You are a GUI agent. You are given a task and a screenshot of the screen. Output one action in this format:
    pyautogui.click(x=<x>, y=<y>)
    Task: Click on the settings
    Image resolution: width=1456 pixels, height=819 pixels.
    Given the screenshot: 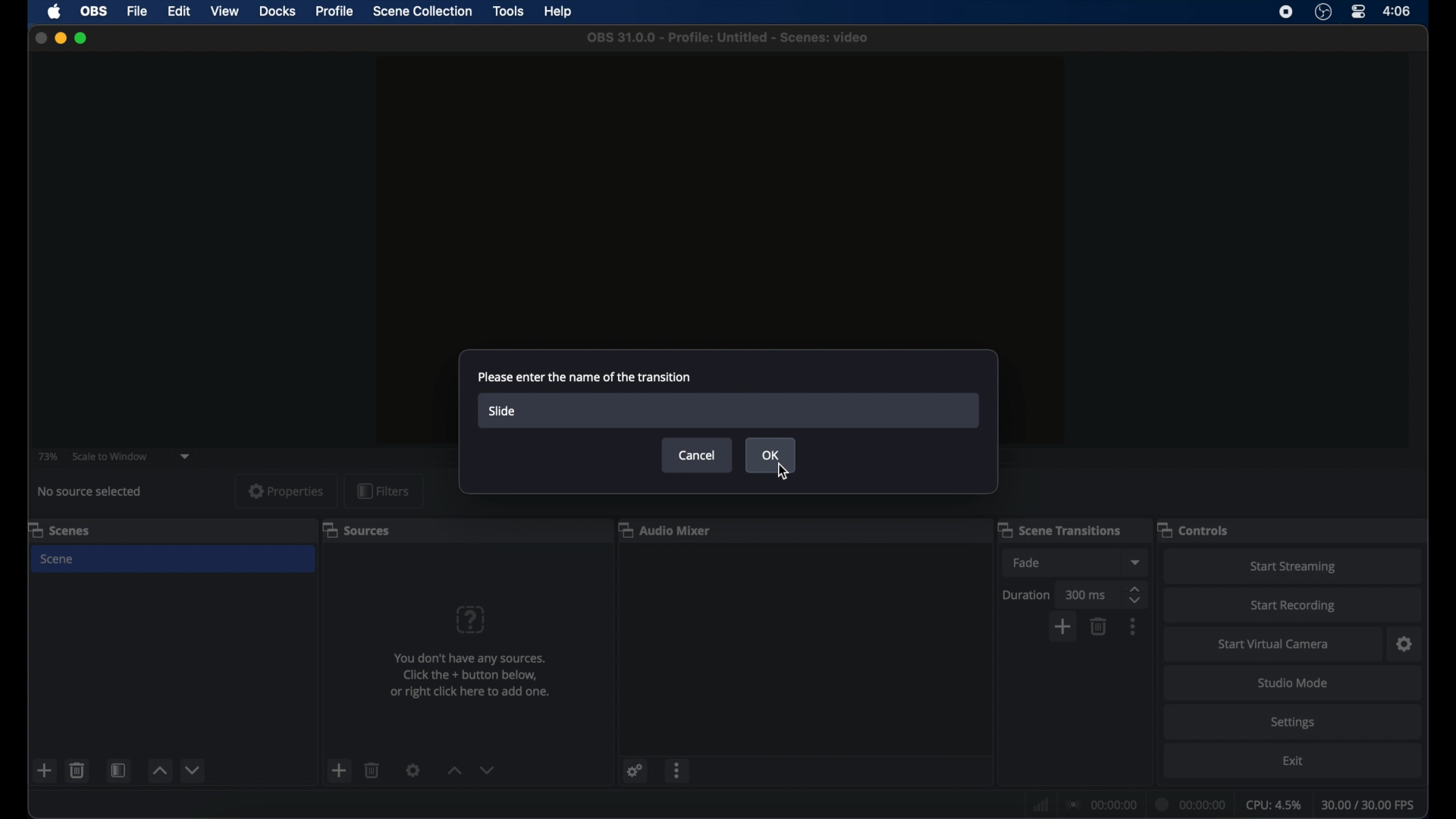 What is the action you would take?
    pyautogui.click(x=1292, y=723)
    